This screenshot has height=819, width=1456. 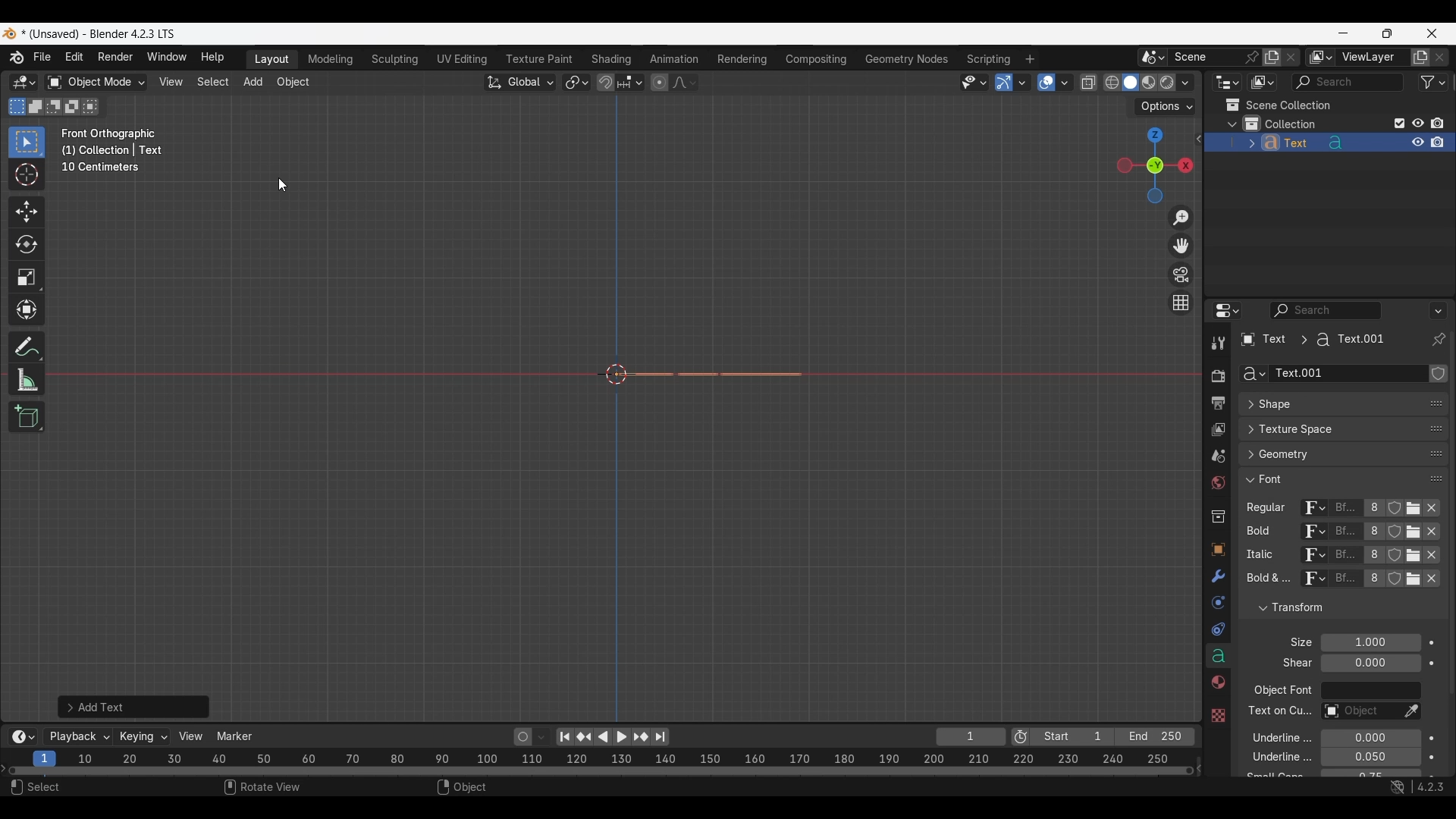 What do you see at coordinates (27, 212) in the screenshot?
I see `Move` at bounding box center [27, 212].